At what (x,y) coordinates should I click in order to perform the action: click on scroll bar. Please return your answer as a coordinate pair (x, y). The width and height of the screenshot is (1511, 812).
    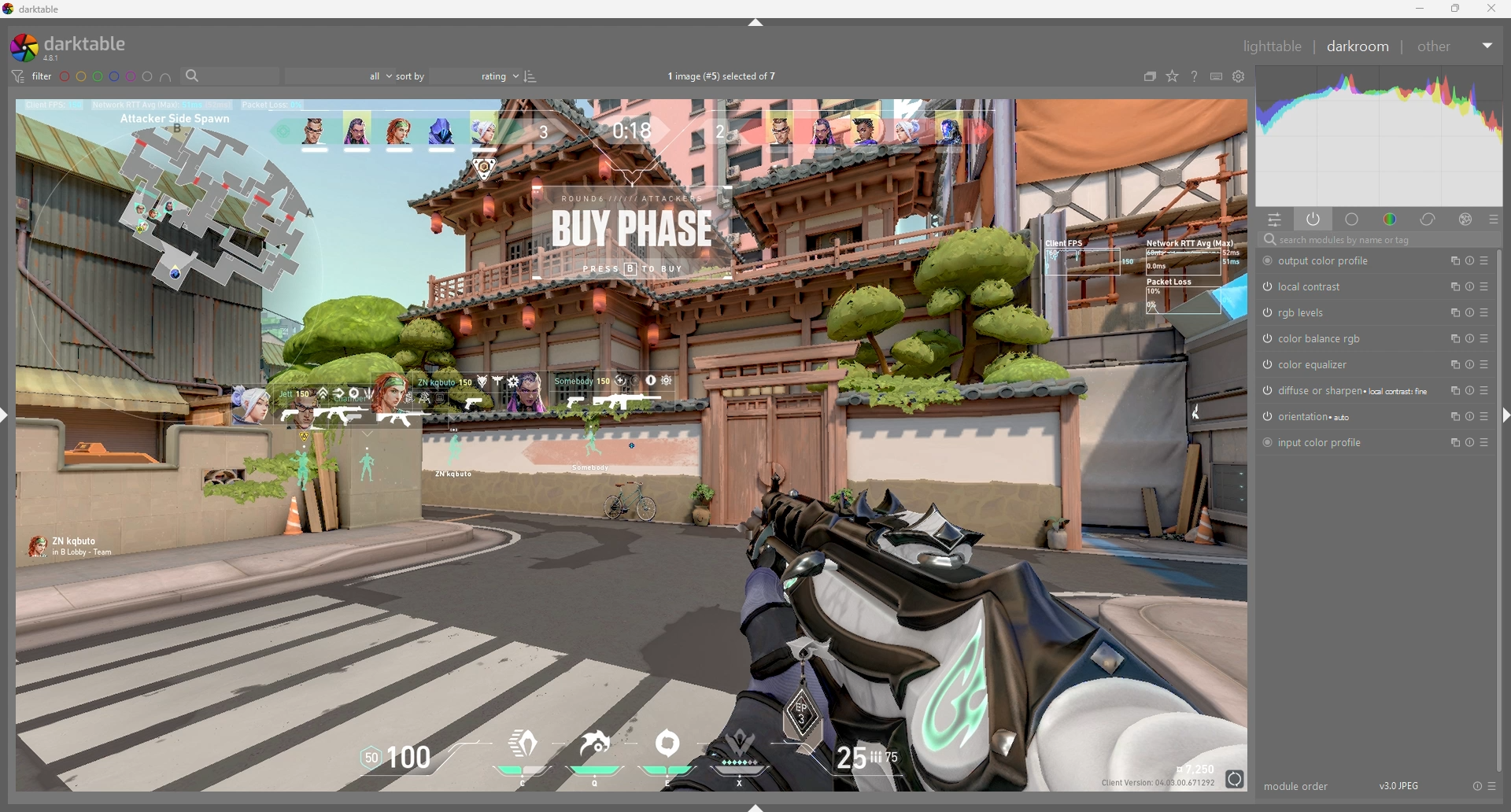
    Looking at the image, I should click on (1500, 509).